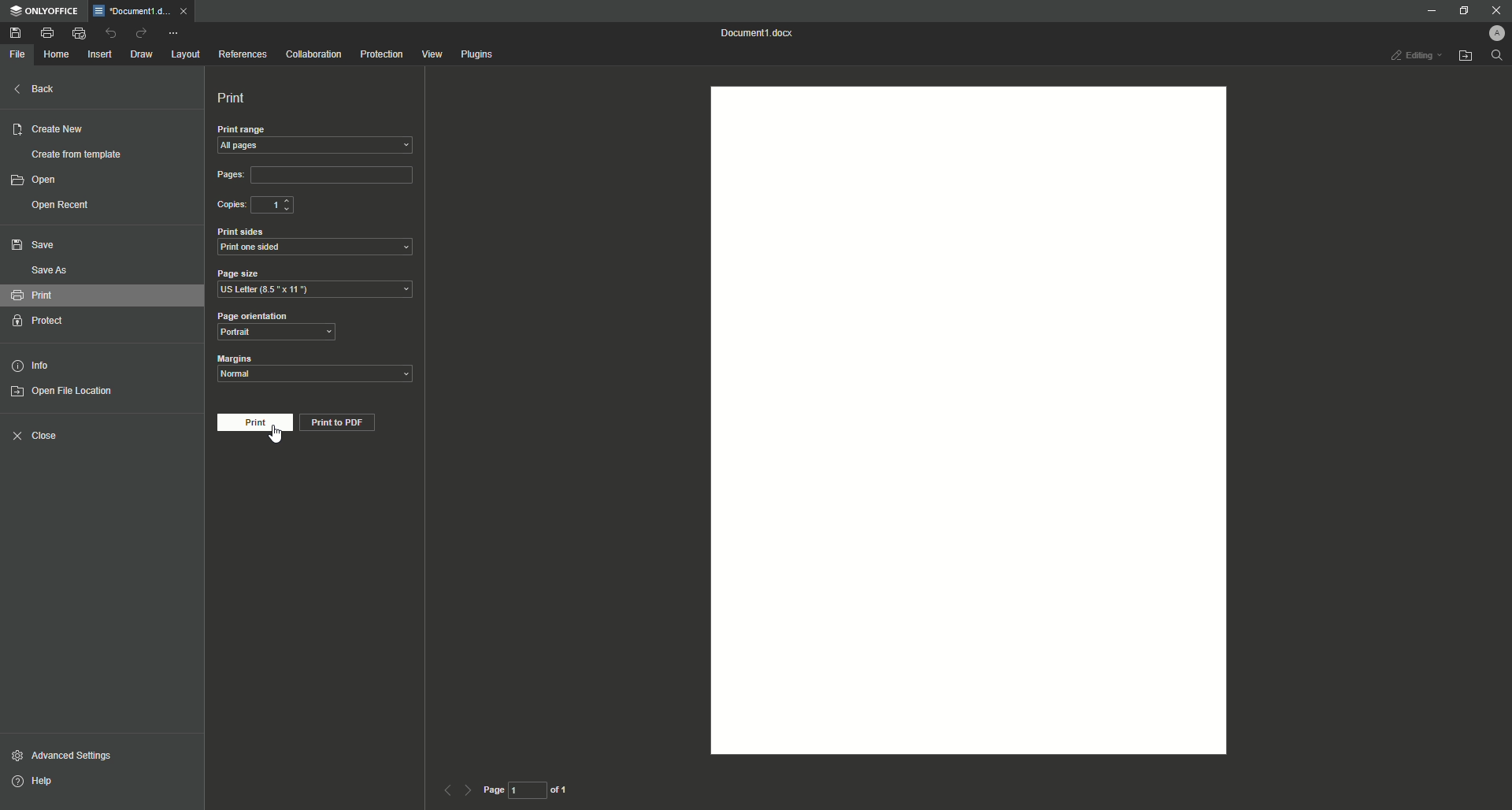  I want to click on More actions, so click(176, 32).